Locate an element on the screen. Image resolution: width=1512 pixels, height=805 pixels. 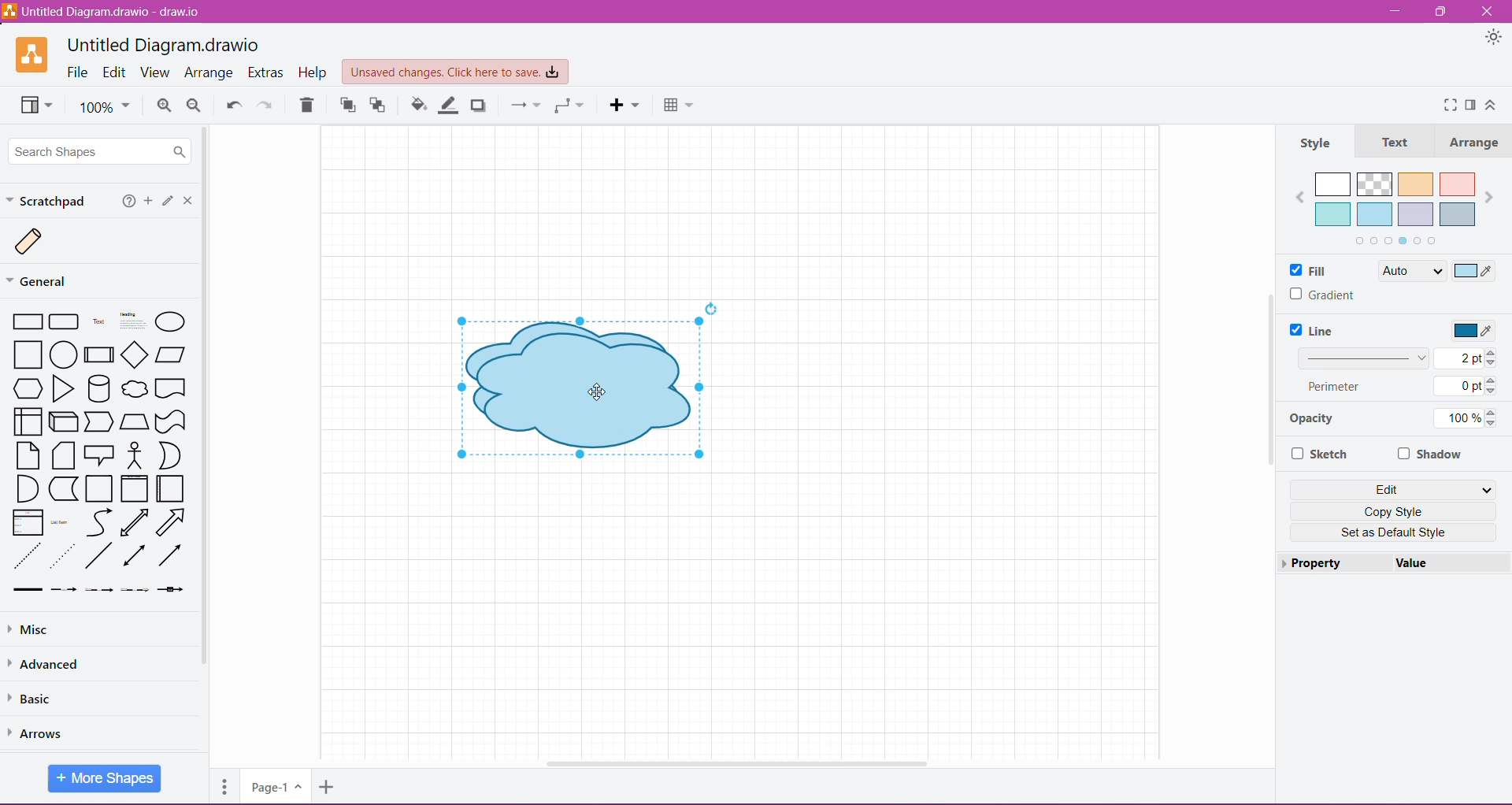
Cursor is located at coordinates (602, 390).